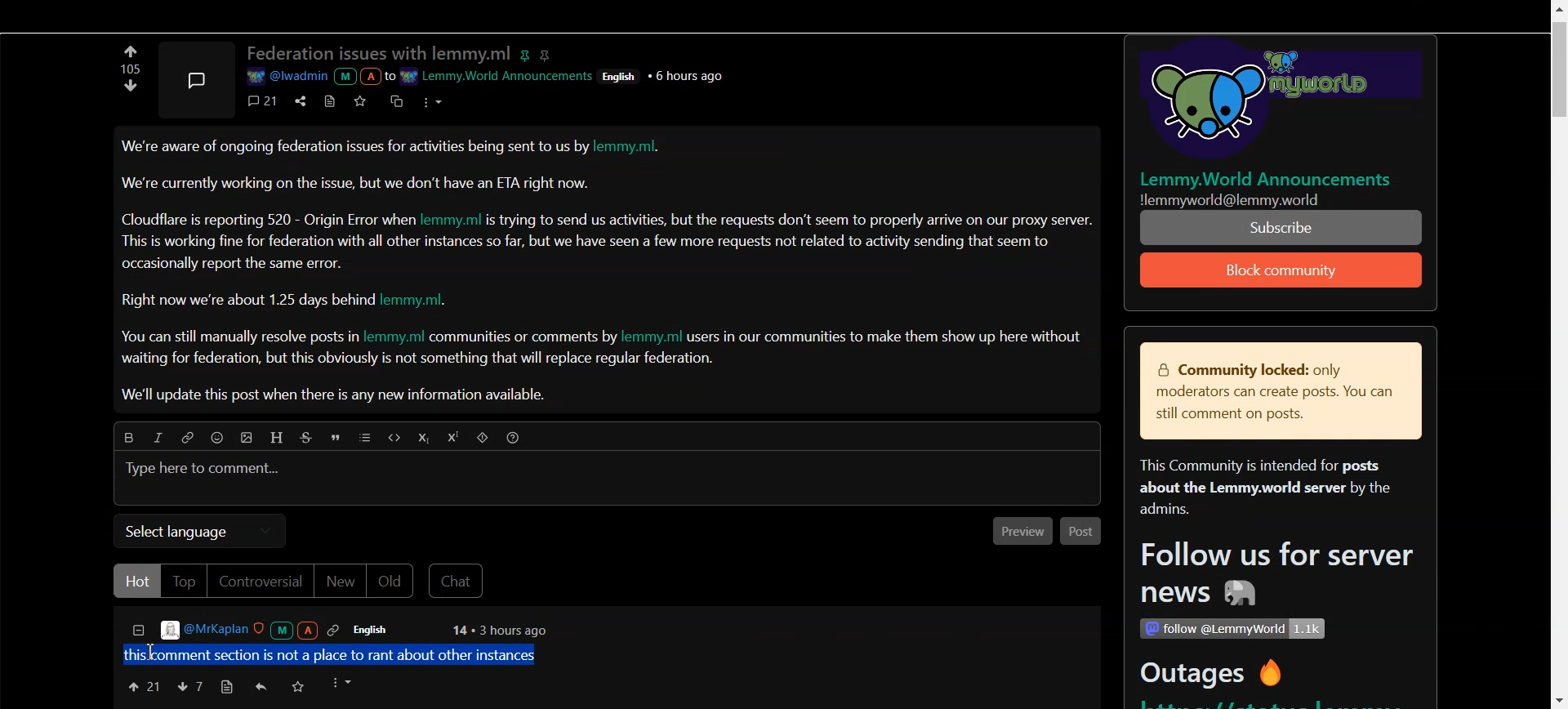  What do you see at coordinates (199, 531) in the screenshot?
I see `Select language` at bounding box center [199, 531].